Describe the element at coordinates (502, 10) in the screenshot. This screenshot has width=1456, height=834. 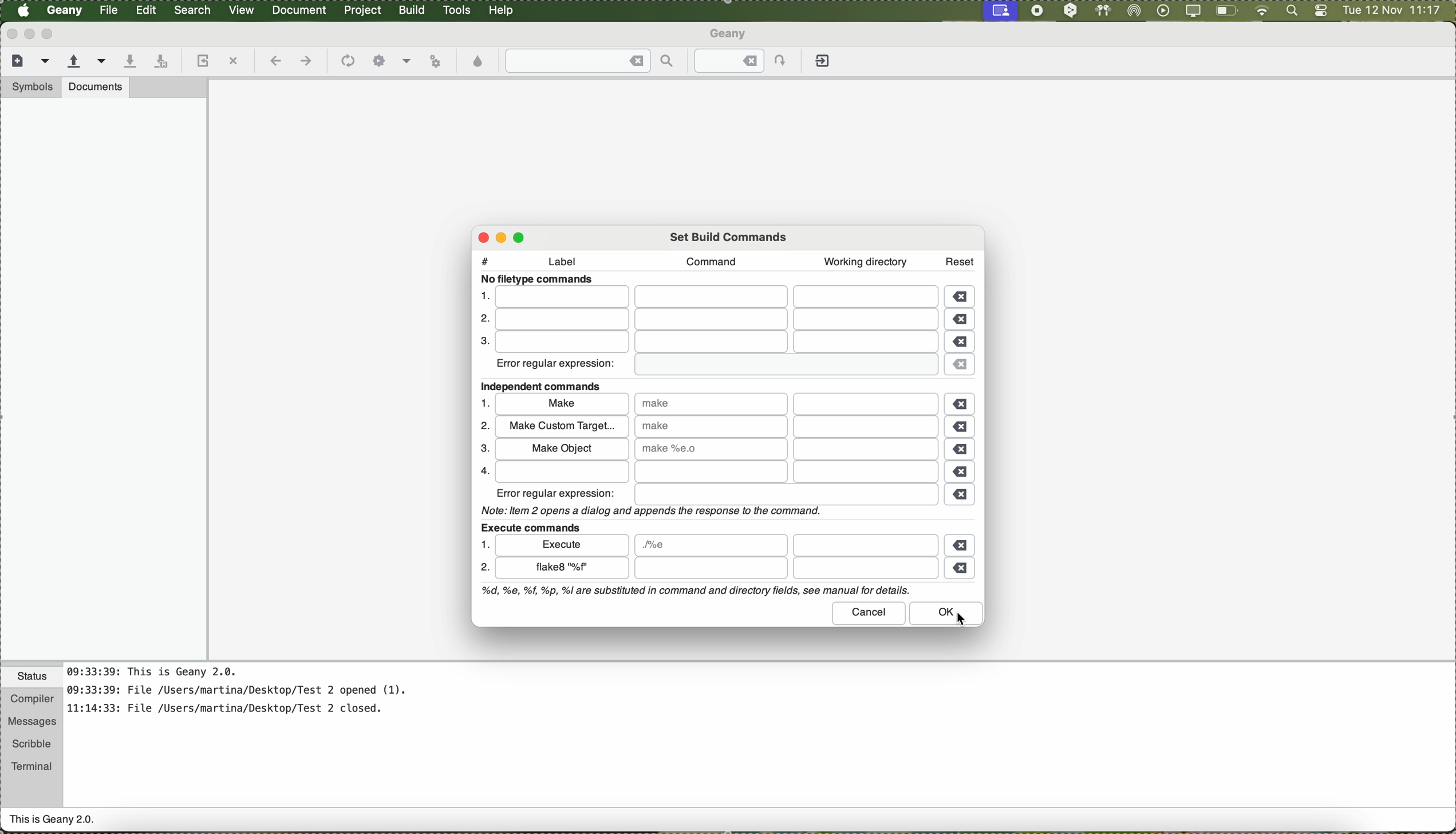
I see `help` at that location.